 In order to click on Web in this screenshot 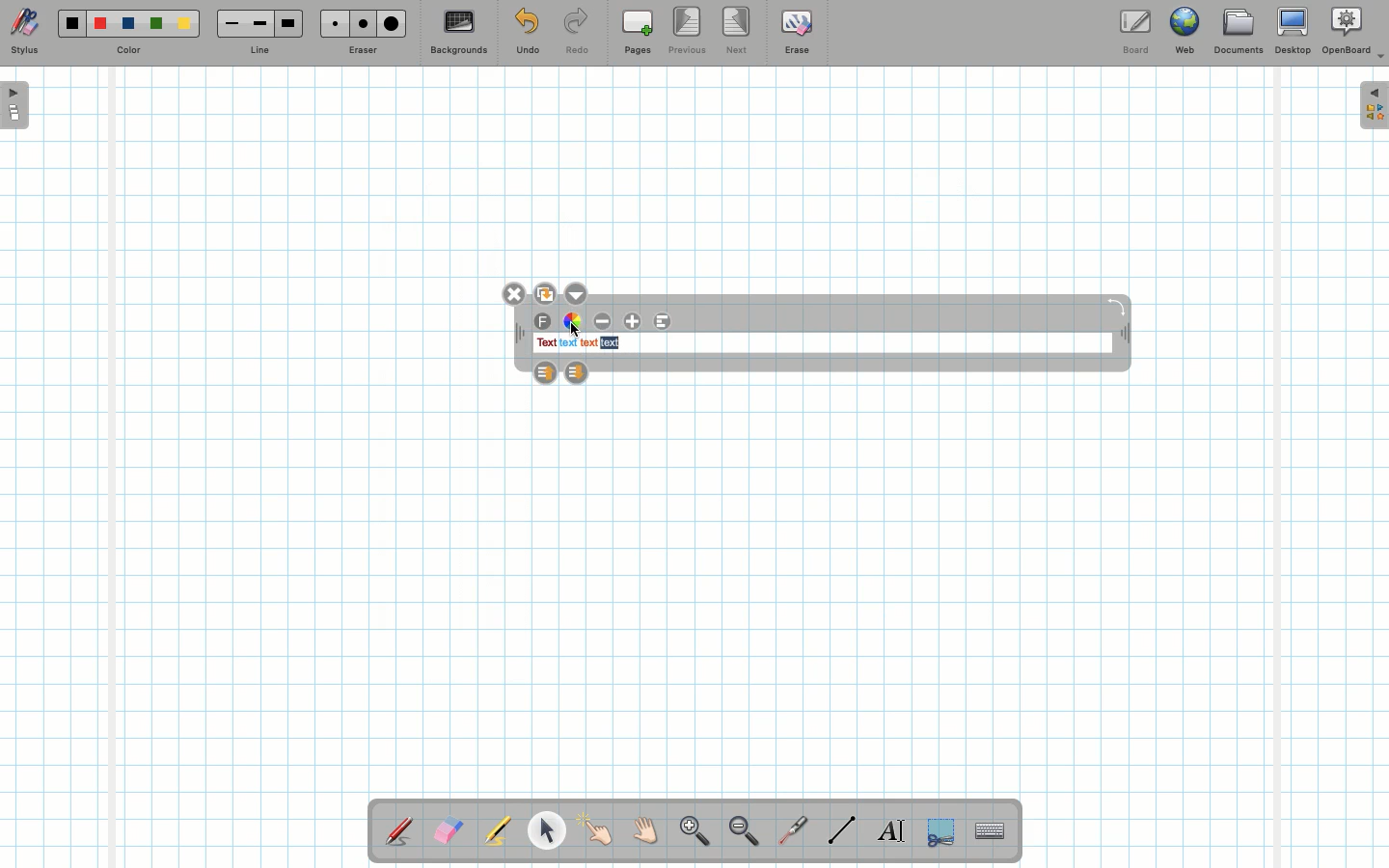, I will do `click(1184, 35)`.